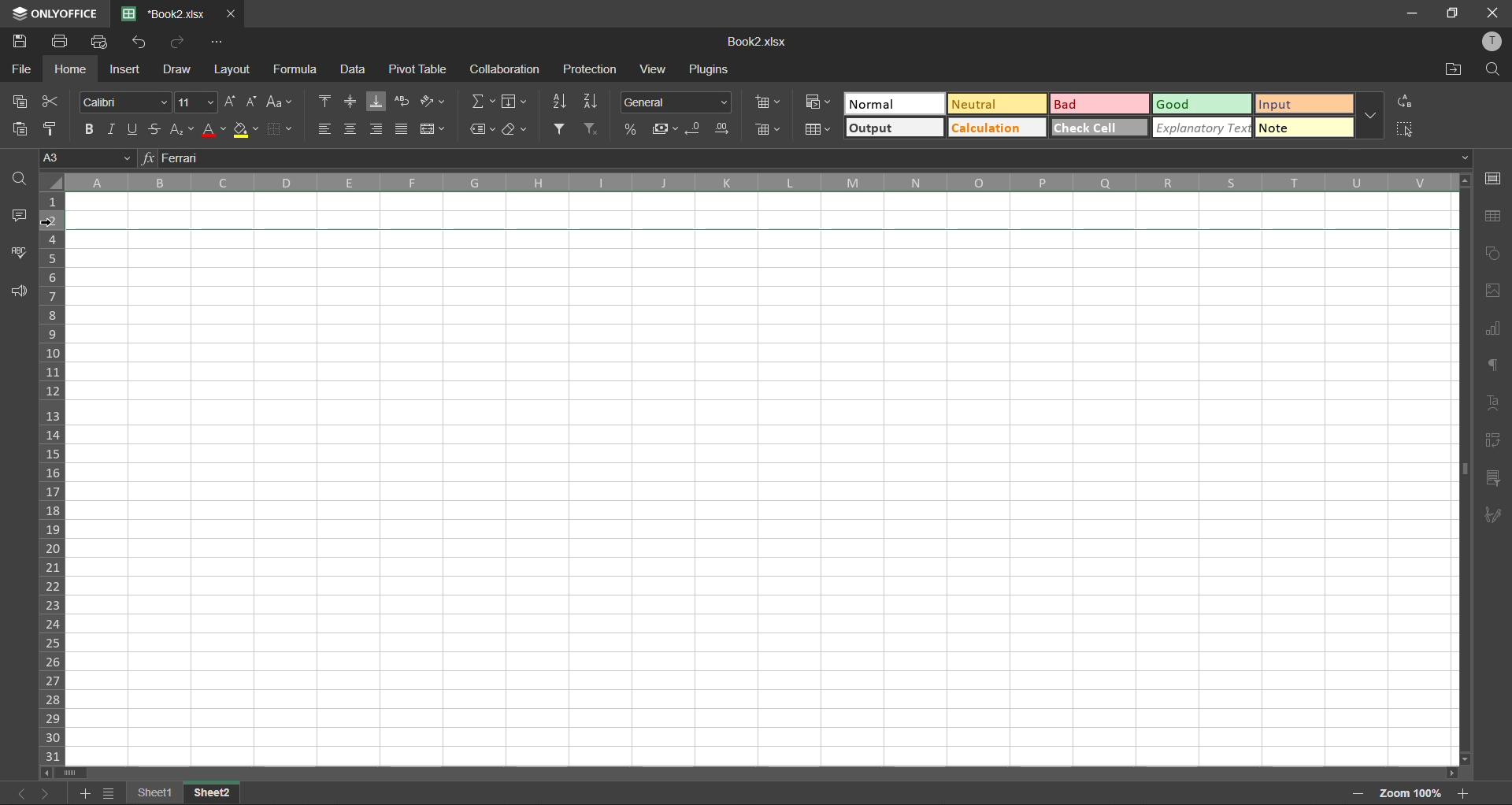  Describe the element at coordinates (282, 128) in the screenshot. I see `borders` at that location.